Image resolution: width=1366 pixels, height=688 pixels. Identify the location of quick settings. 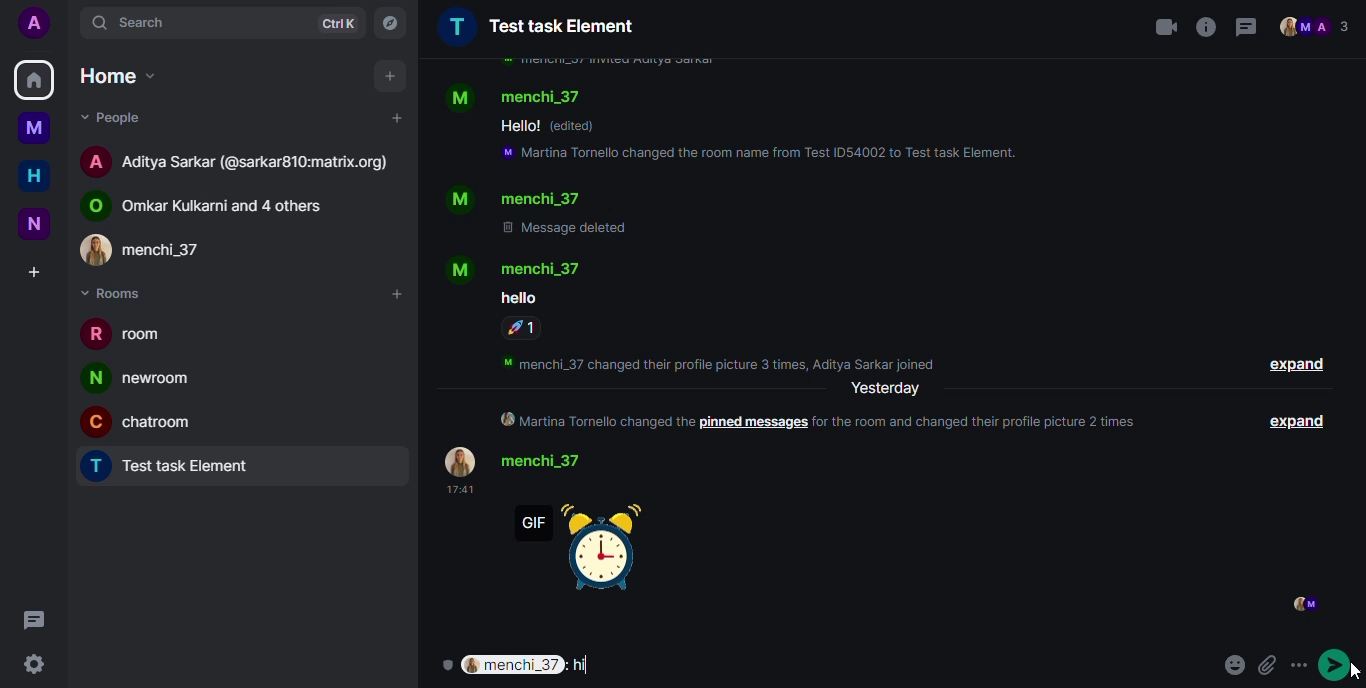
(32, 666).